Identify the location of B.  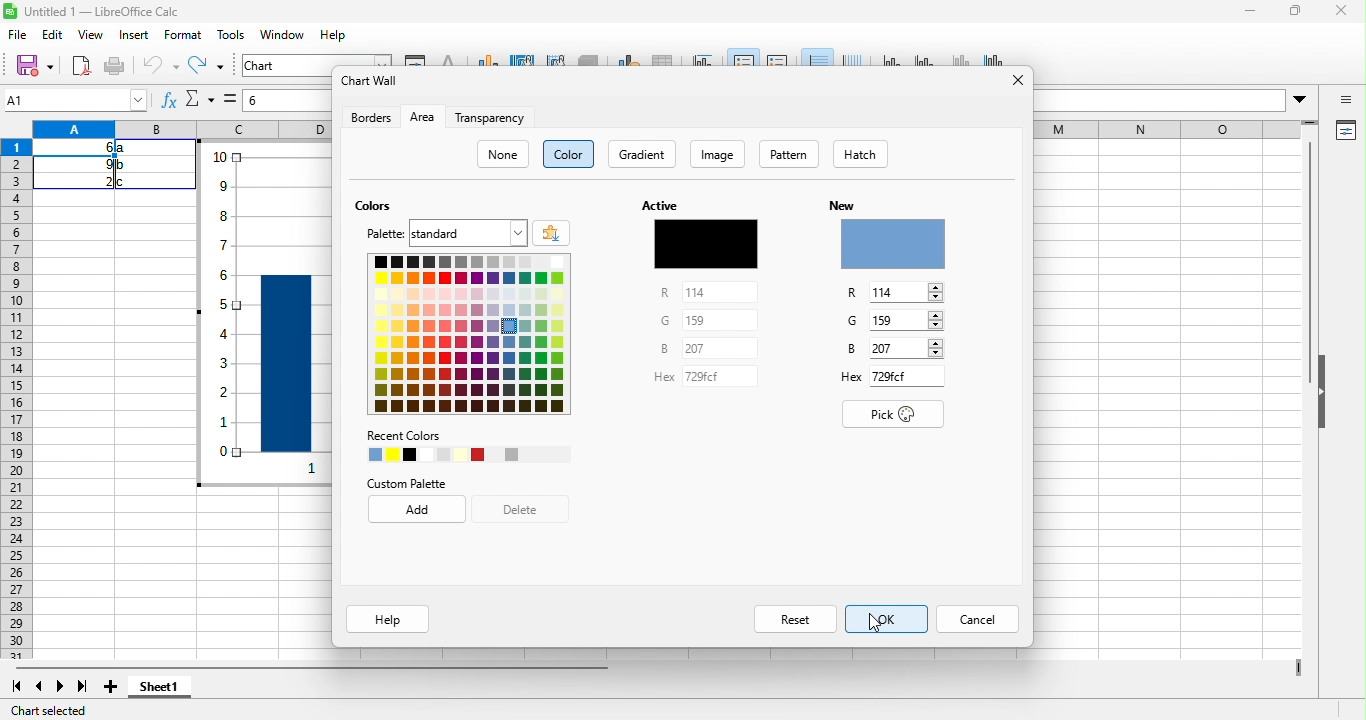
(854, 350).